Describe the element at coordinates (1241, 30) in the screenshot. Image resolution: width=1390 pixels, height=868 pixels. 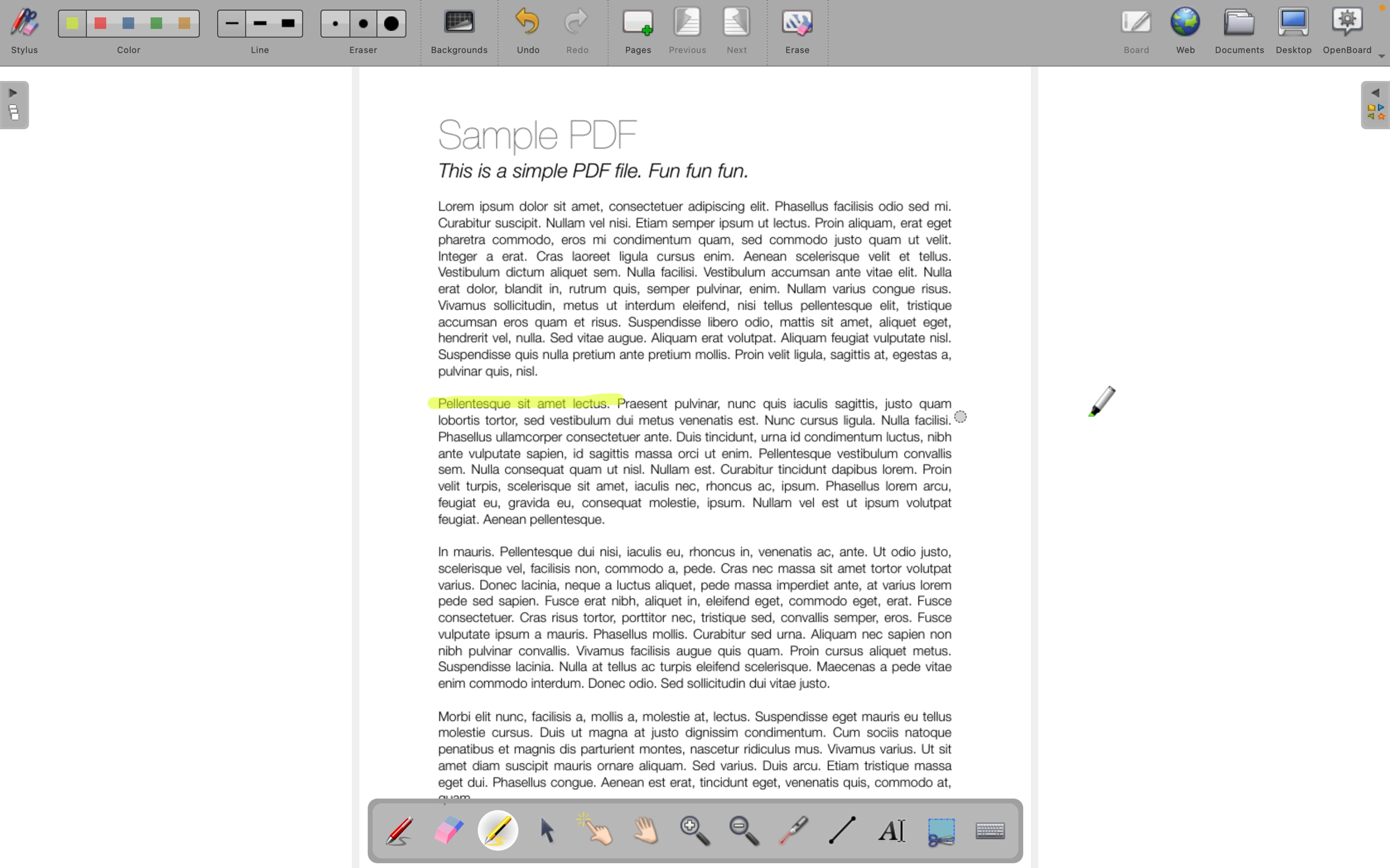
I see `documents` at that location.